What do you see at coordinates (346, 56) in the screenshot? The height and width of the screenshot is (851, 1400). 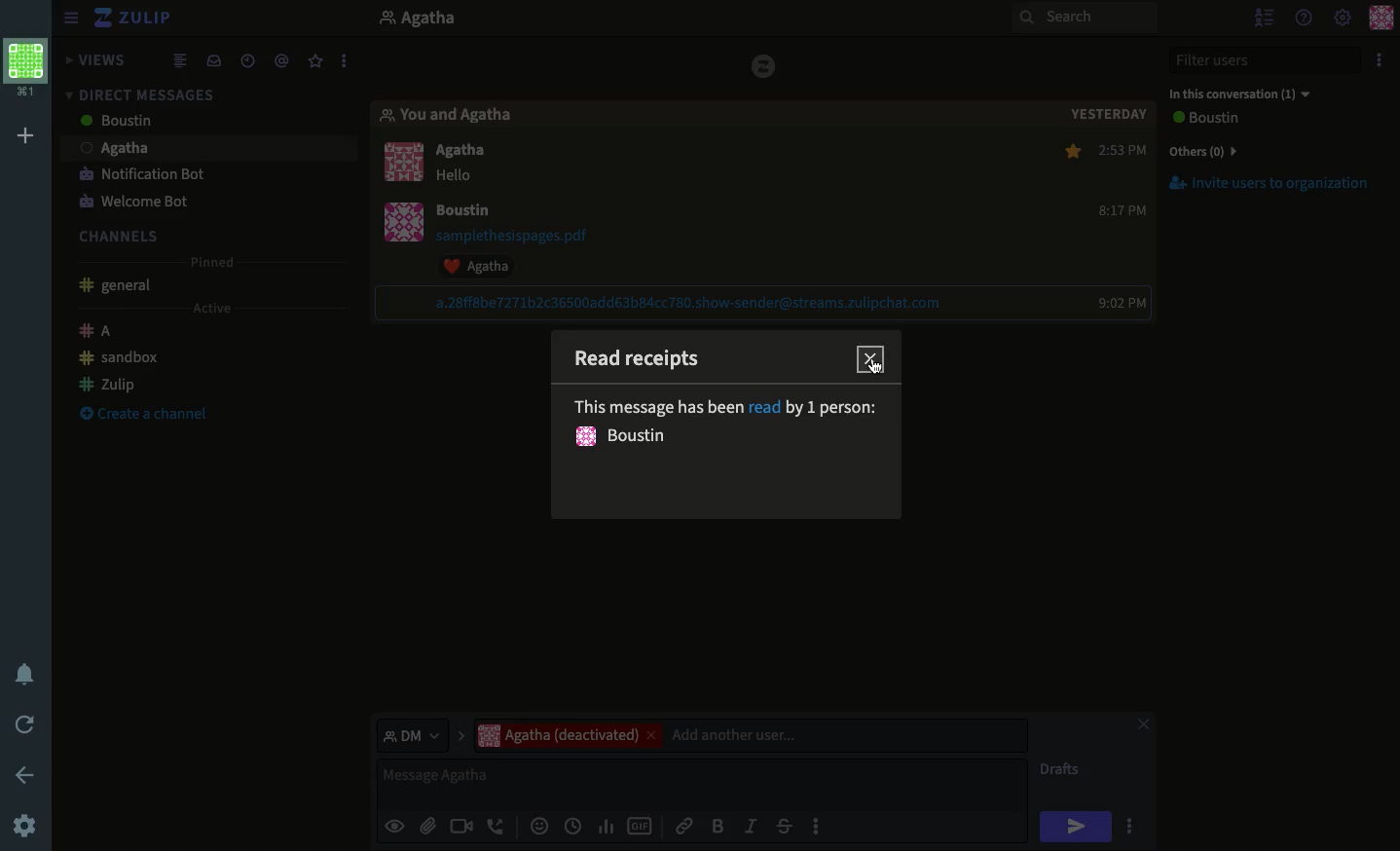 I see `options` at bounding box center [346, 56].